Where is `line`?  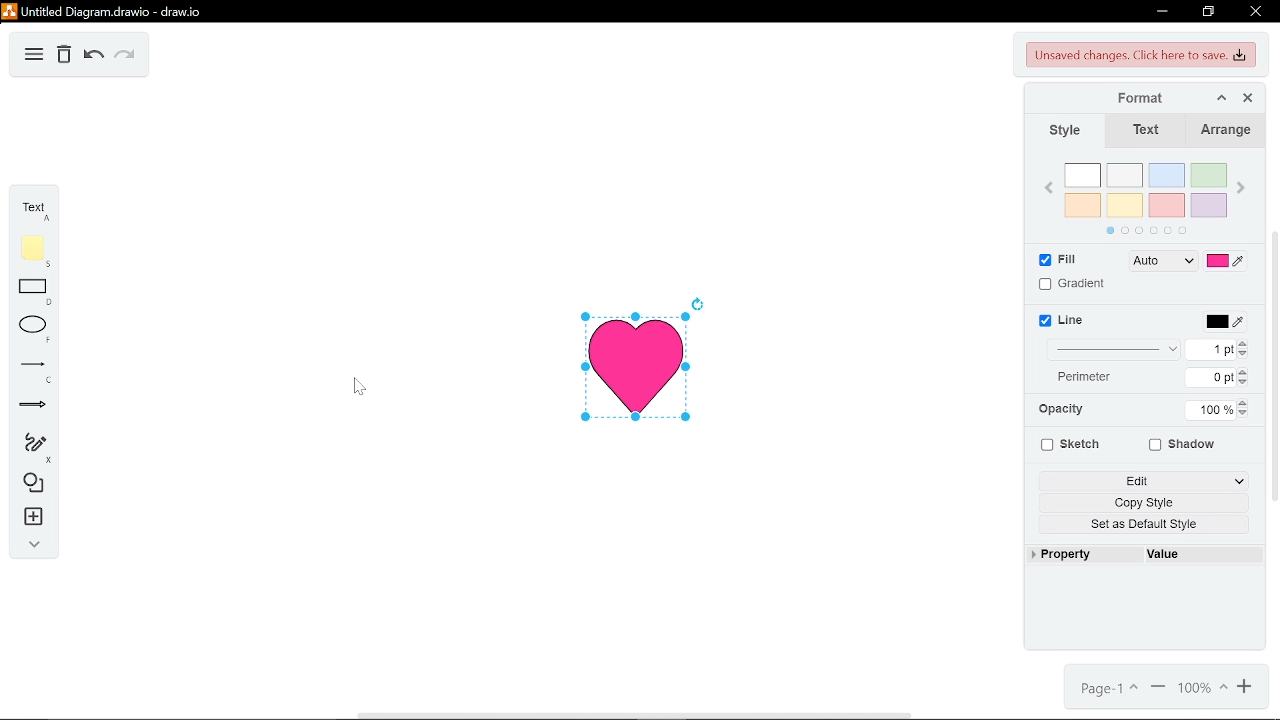 line is located at coordinates (1064, 322).